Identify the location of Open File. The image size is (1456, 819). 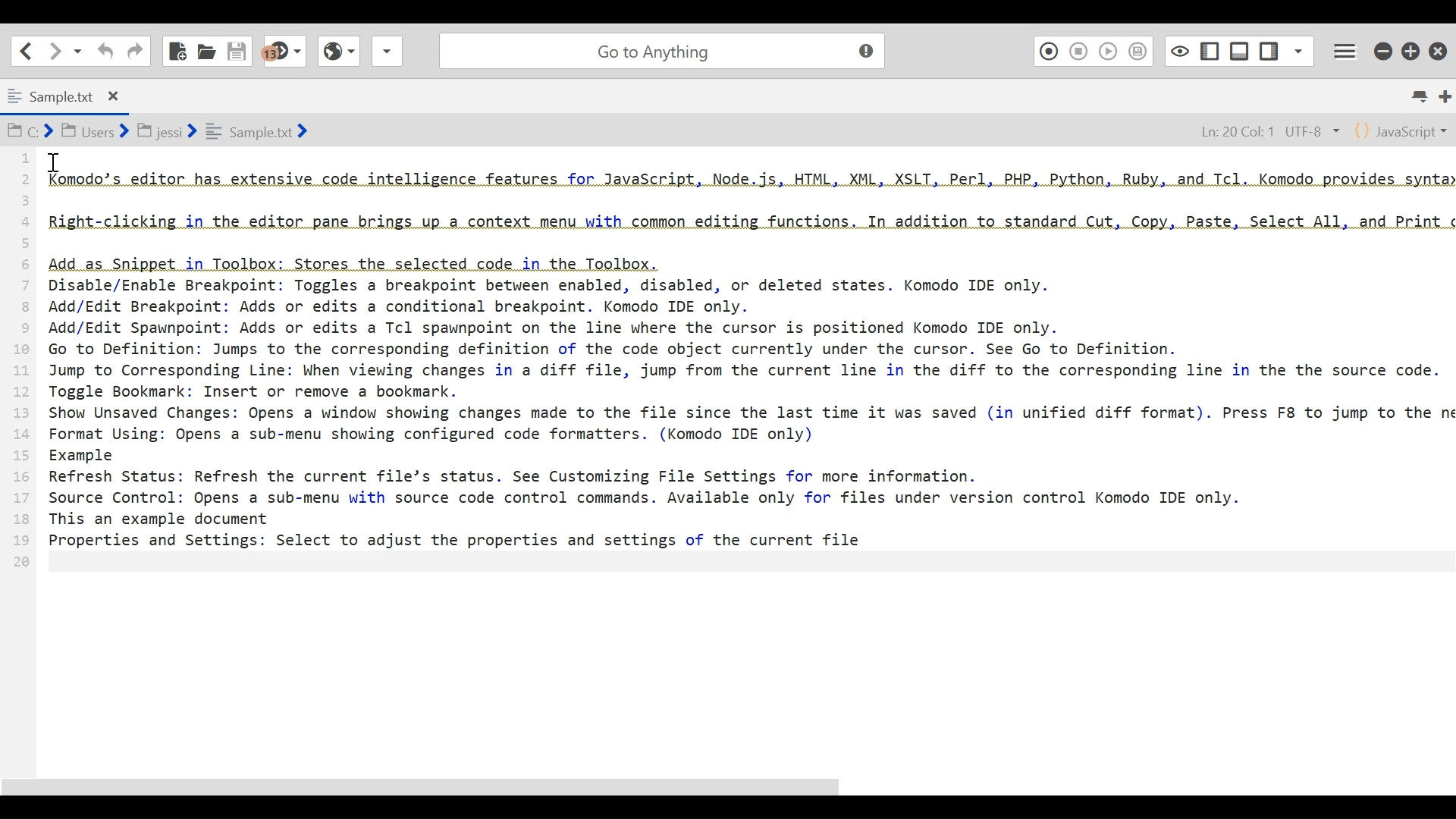
(206, 49).